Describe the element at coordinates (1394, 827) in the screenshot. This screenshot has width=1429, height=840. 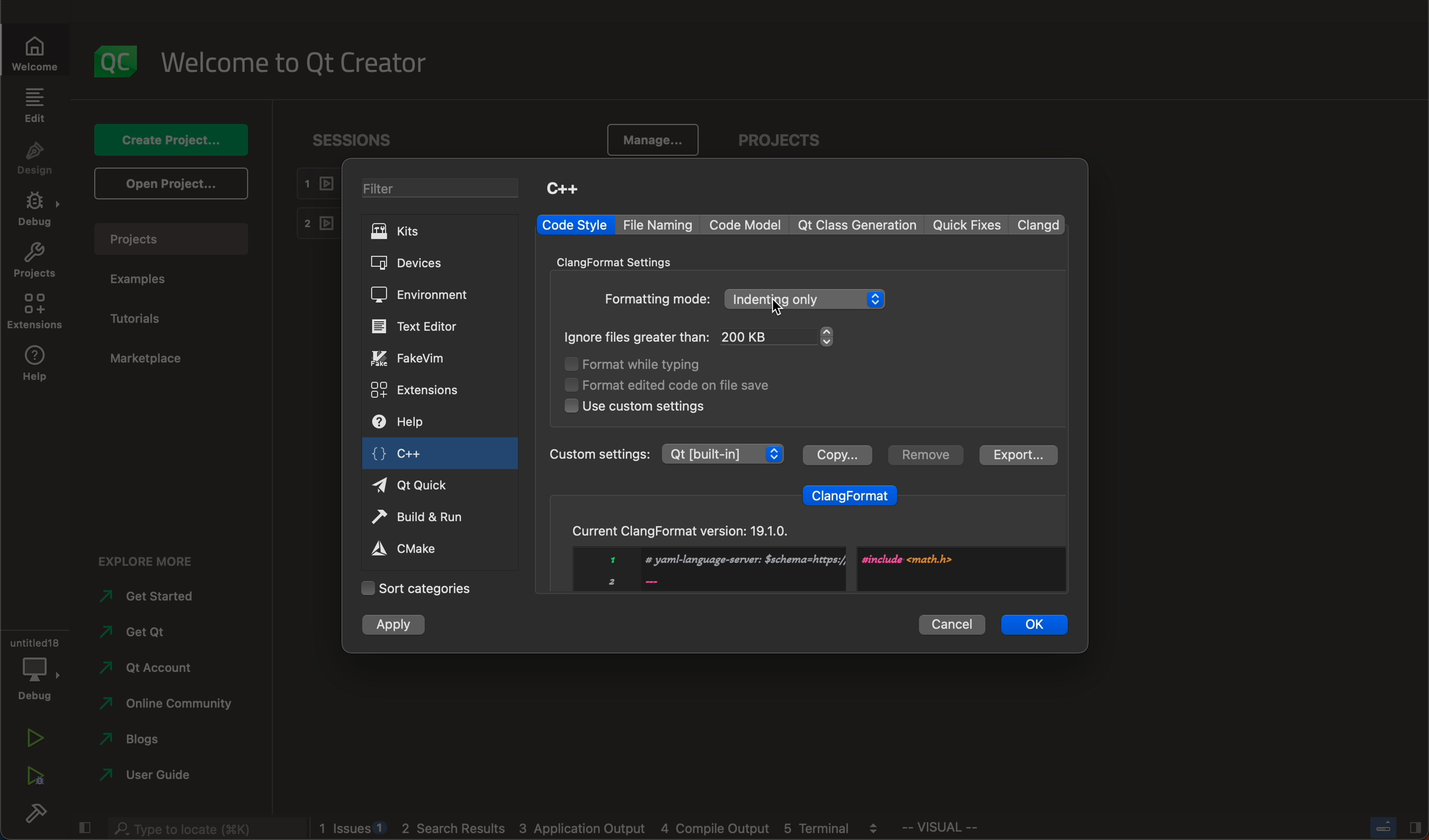
I see `close slide bar` at that location.